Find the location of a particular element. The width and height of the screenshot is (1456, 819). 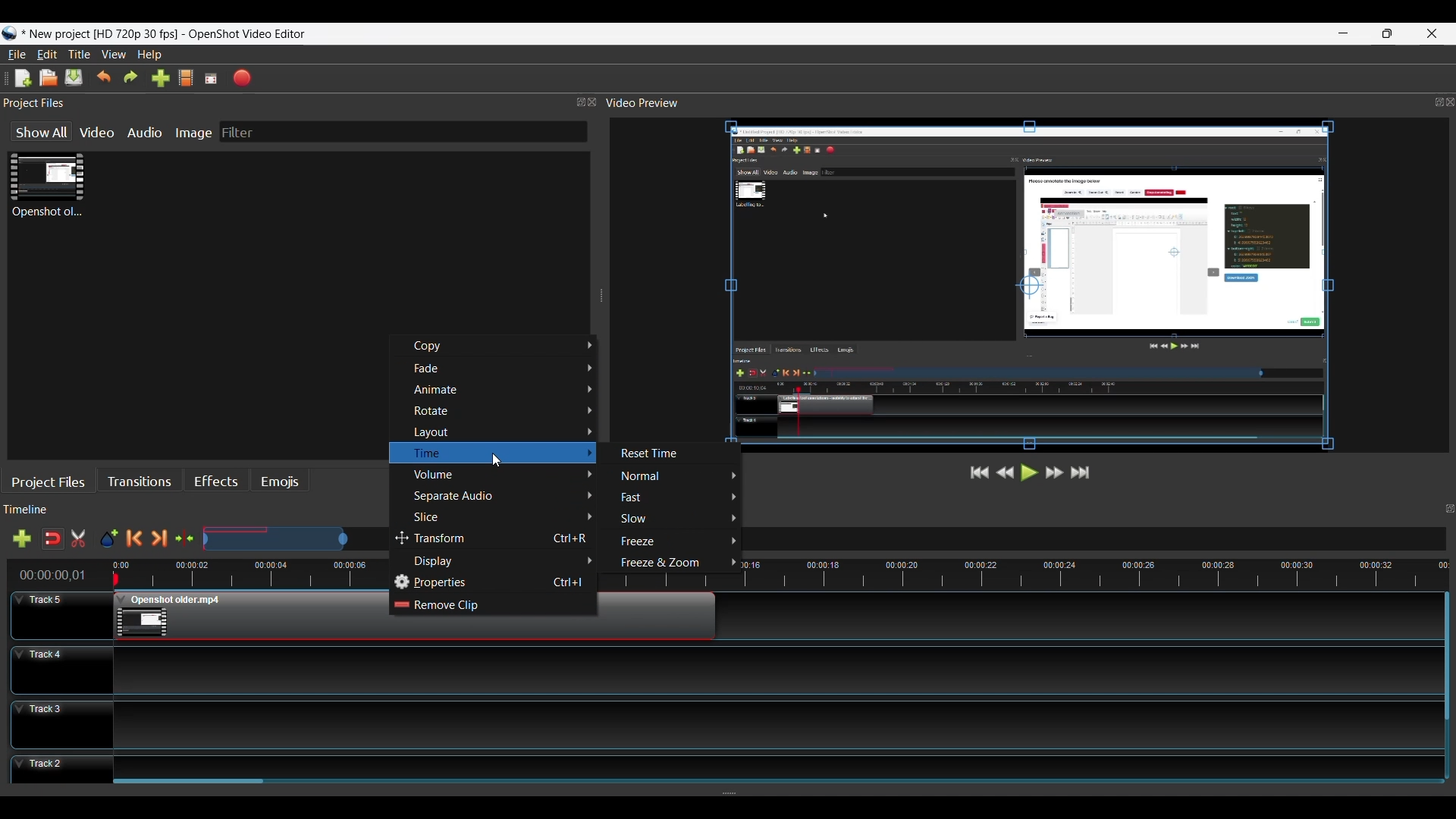

Center te timeline at the playhead is located at coordinates (185, 539).